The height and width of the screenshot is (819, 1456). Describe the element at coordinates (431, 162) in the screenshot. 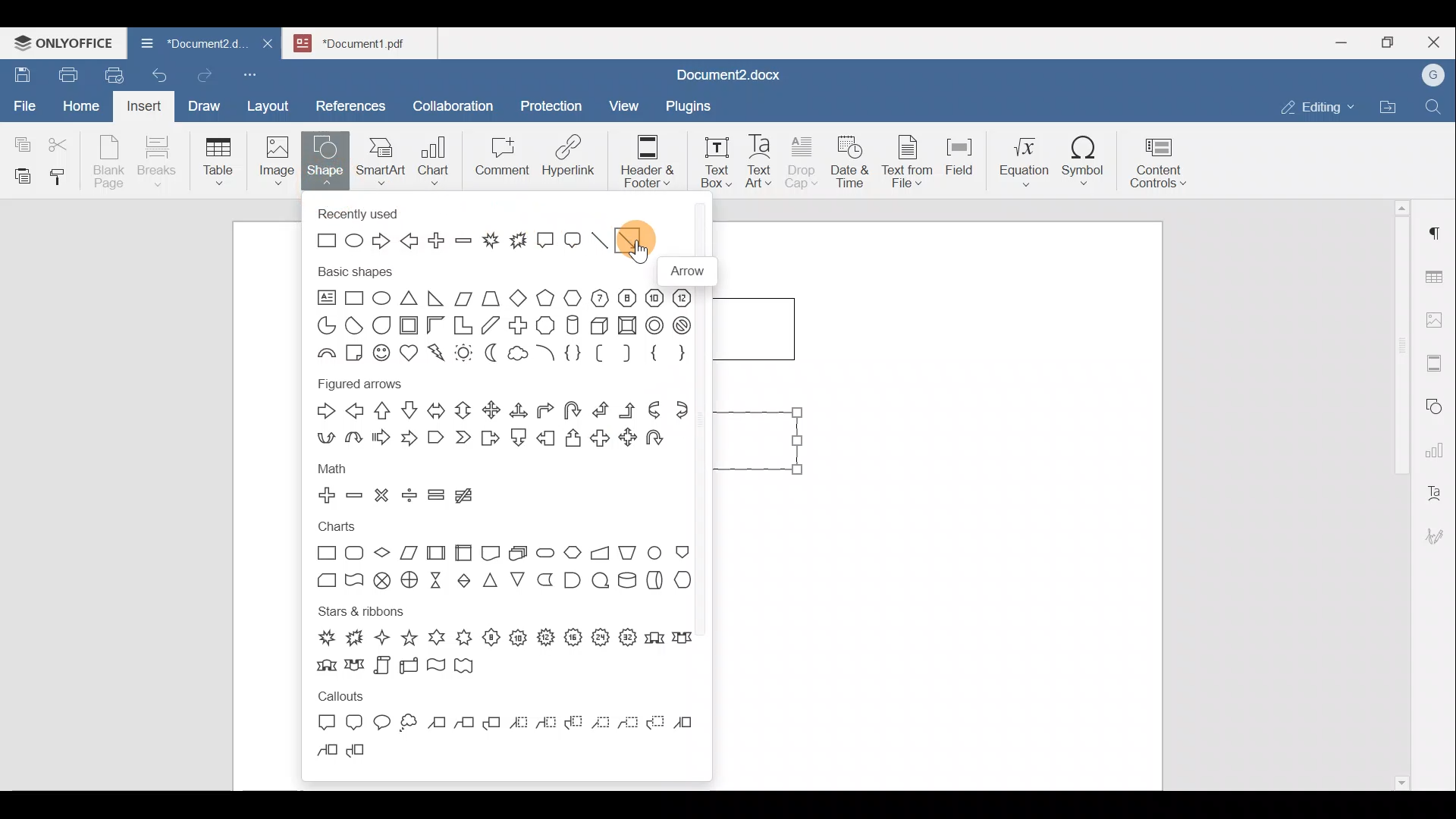

I see `Chart` at that location.